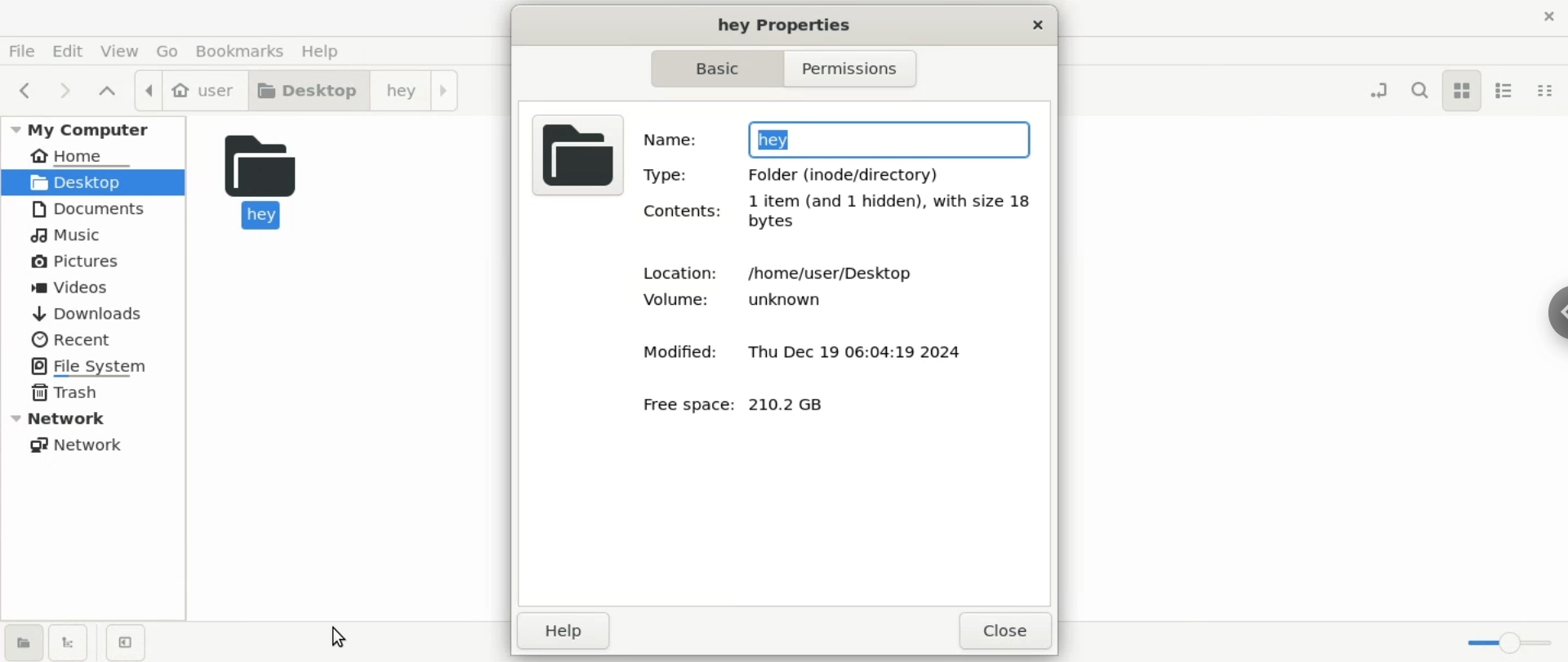 This screenshot has width=1568, height=662. Describe the element at coordinates (21, 53) in the screenshot. I see `file` at that location.